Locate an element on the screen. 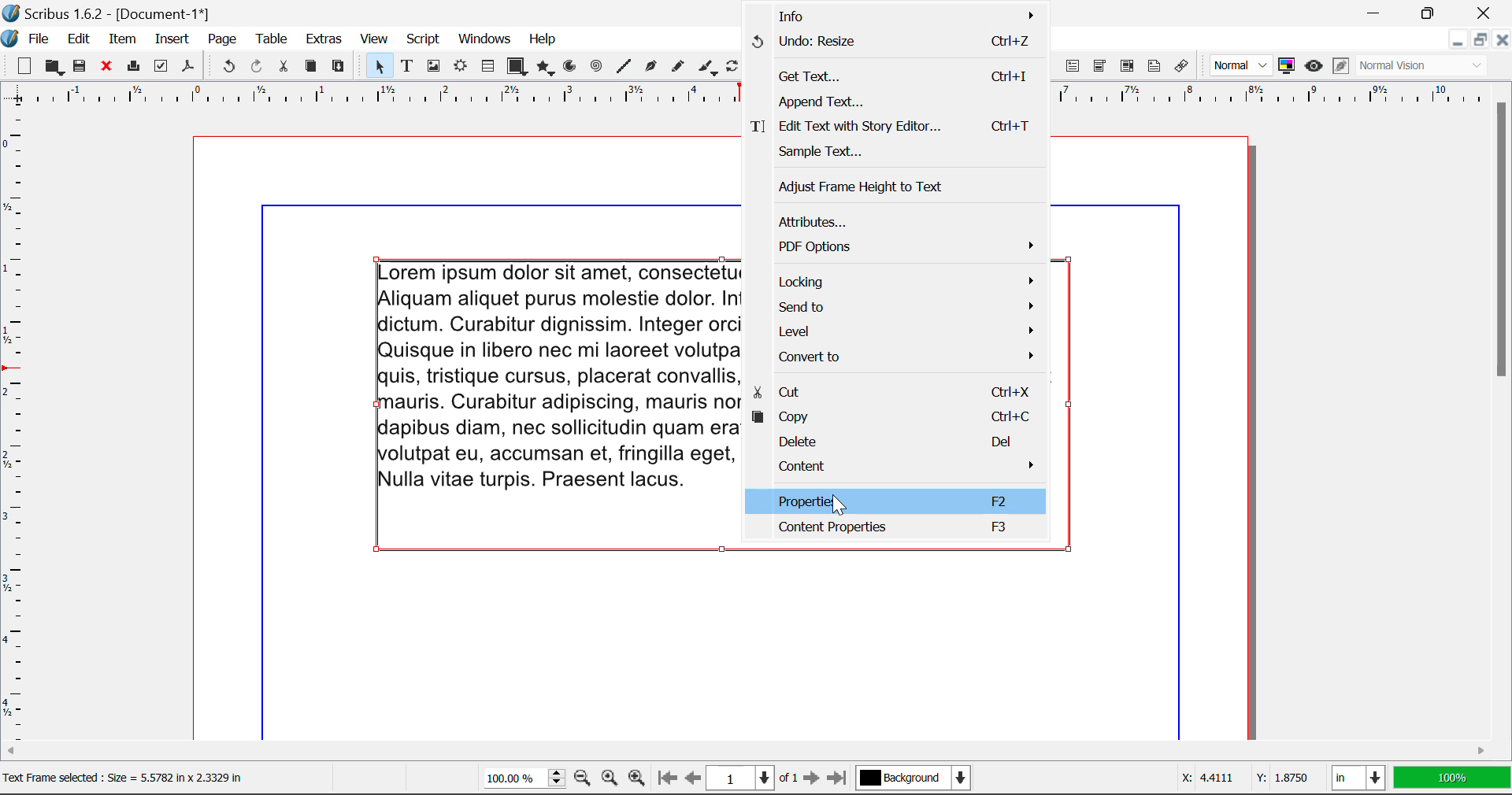  Content is located at coordinates (895, 468).